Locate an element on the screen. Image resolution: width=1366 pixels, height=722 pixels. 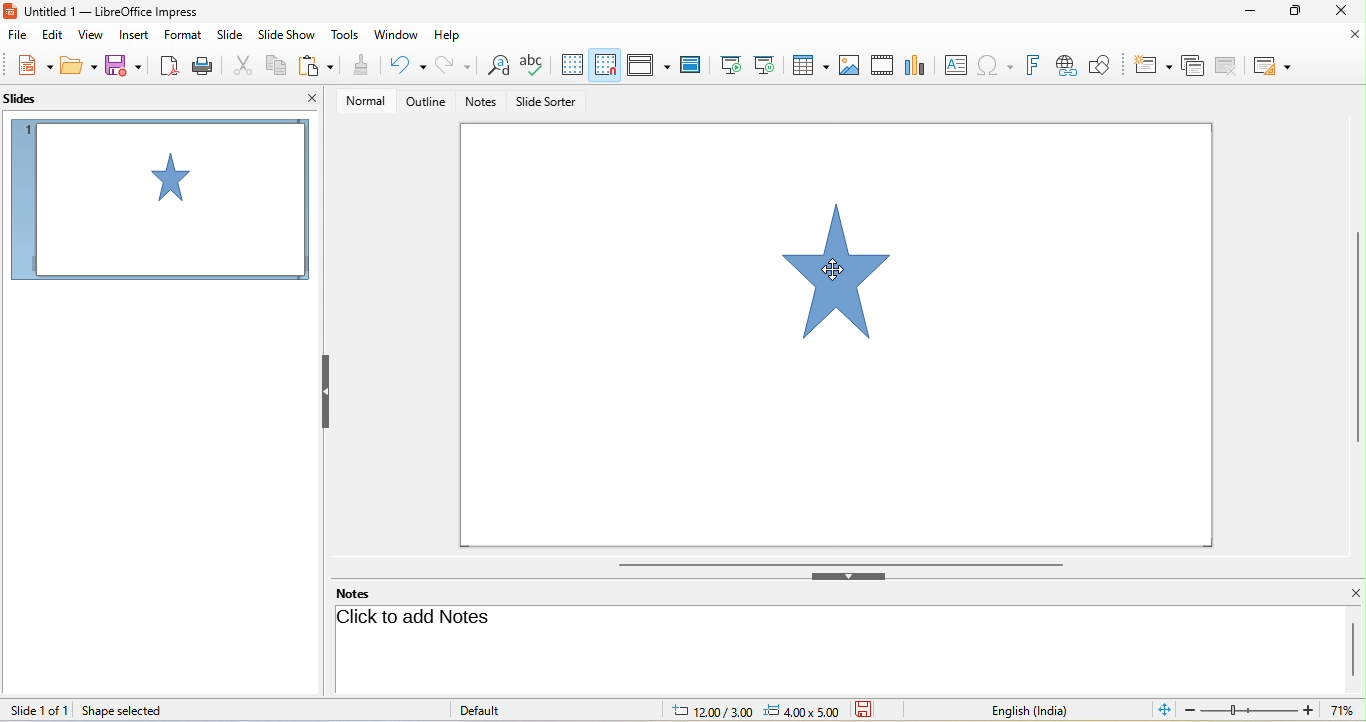
display view is located at coordinates (646, 64).